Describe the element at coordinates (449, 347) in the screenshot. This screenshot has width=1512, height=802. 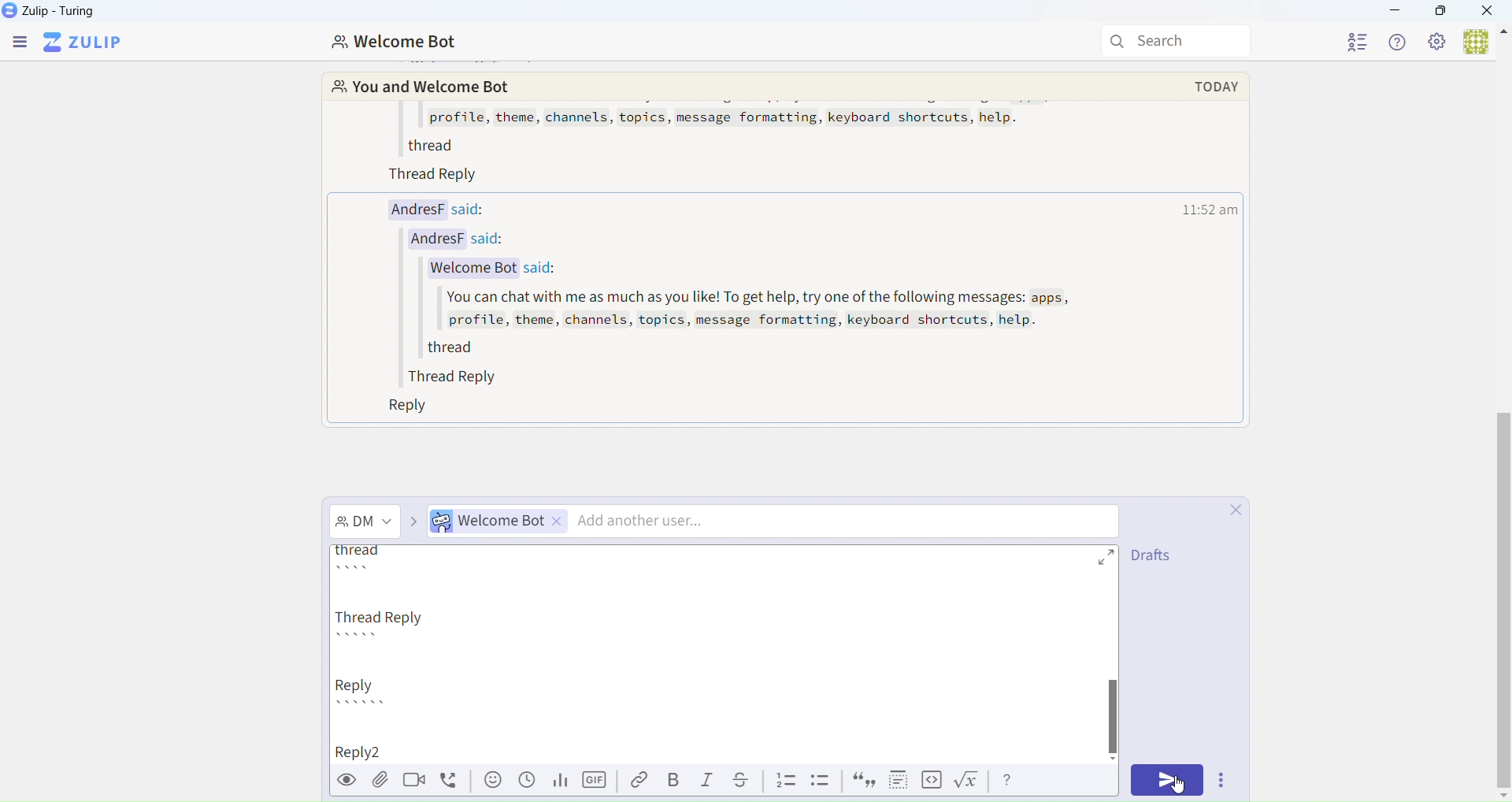
I see `thread` at that location.